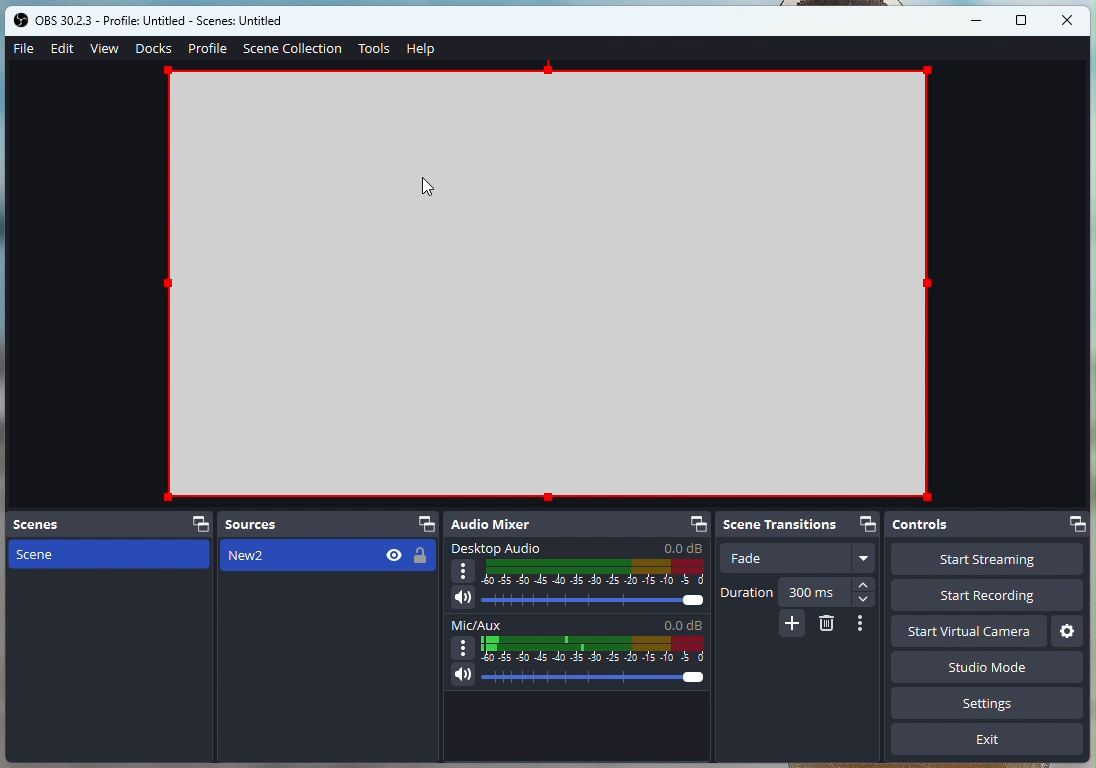 Image resolution: width=1096 pixels, height=768 pixels. Describe the element at coordinates (988, 527) in the screenshot. I see `Controls` at that location.